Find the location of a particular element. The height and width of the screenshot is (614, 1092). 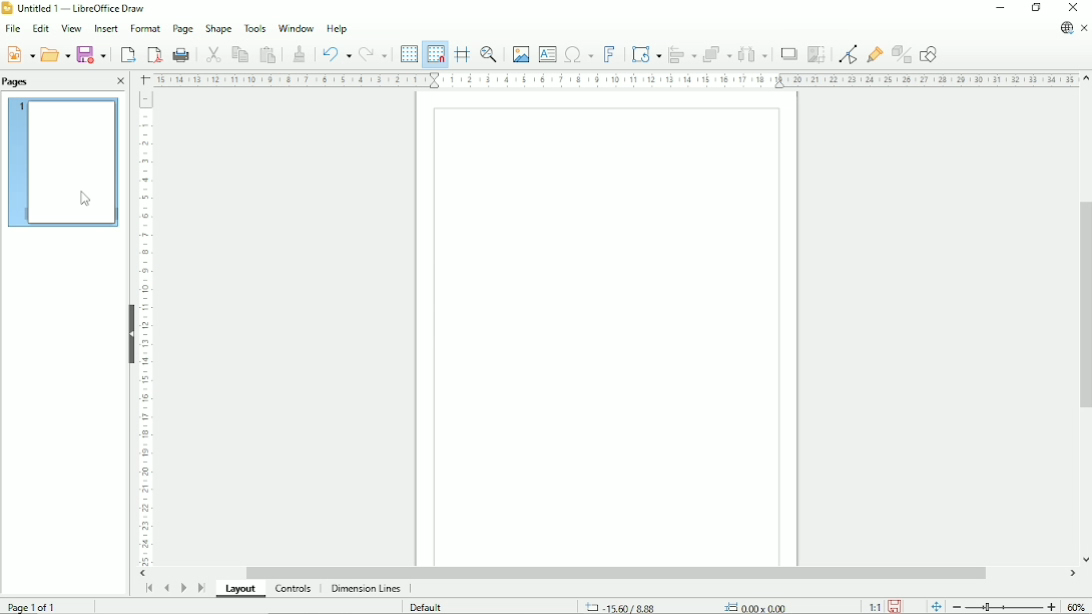

Close is located at coordinates (120, 82).